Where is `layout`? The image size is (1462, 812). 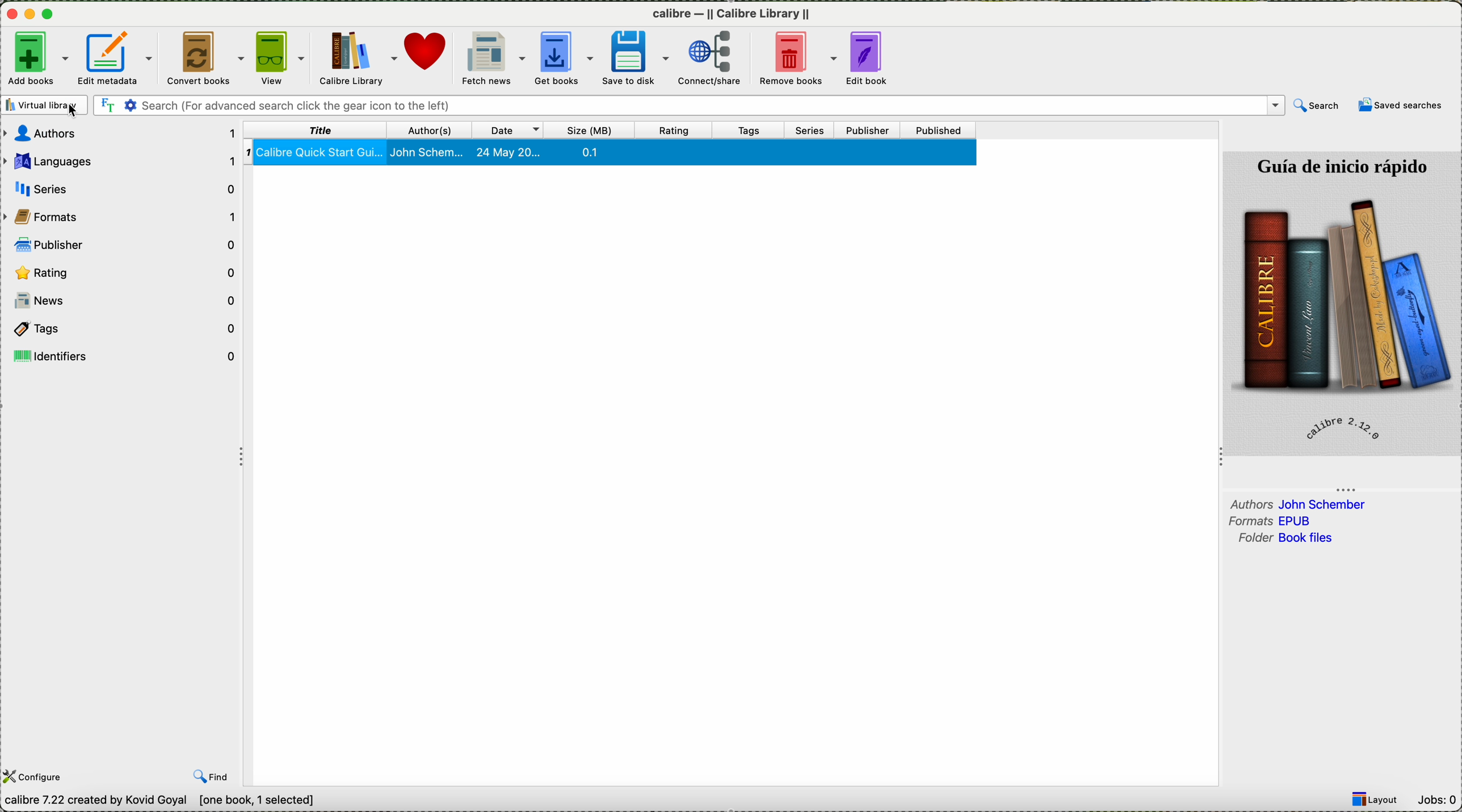 layout is located at coordinates (1379, 800).